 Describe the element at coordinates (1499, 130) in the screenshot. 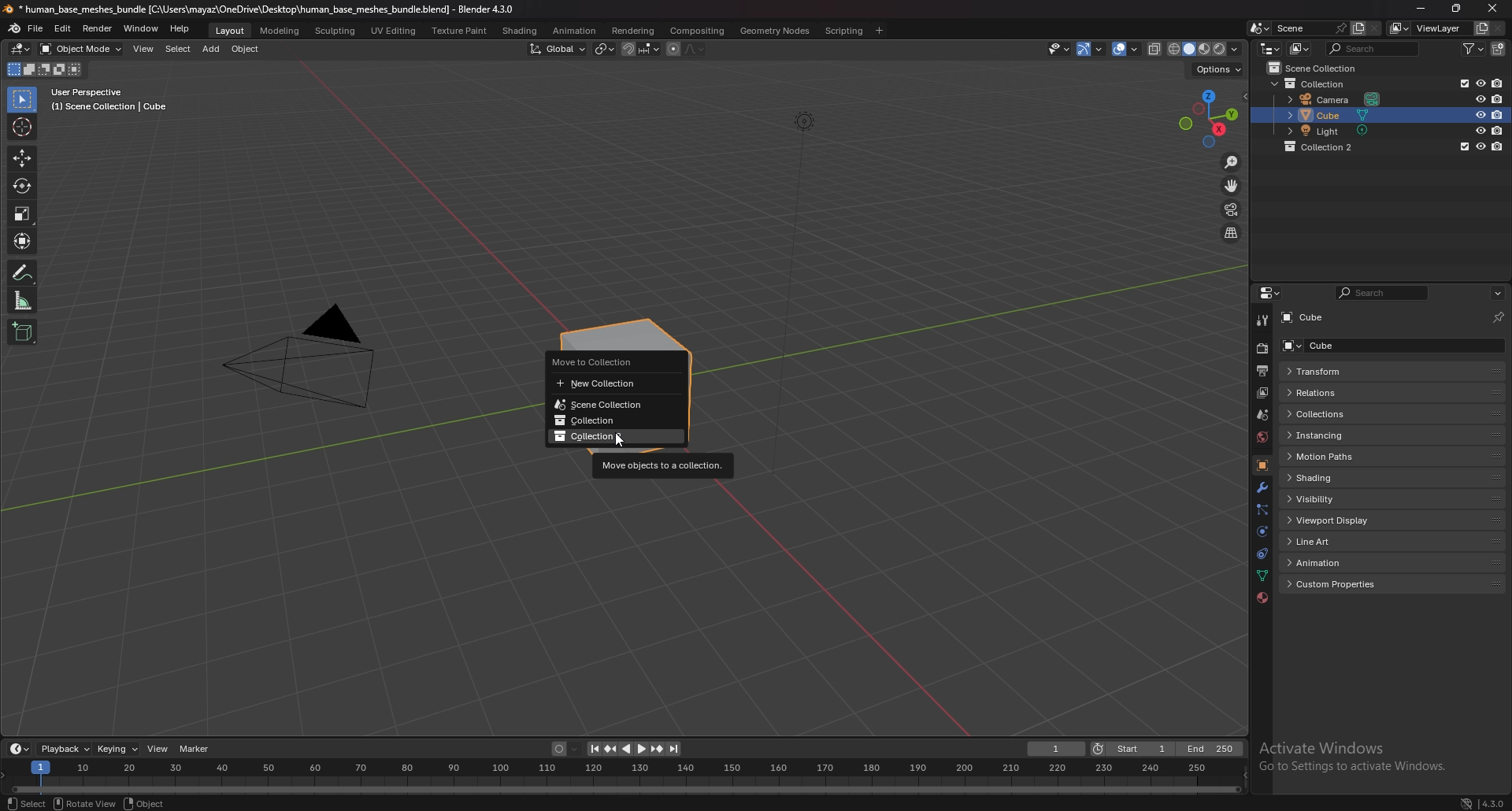

I see `disable in renders` at that location.